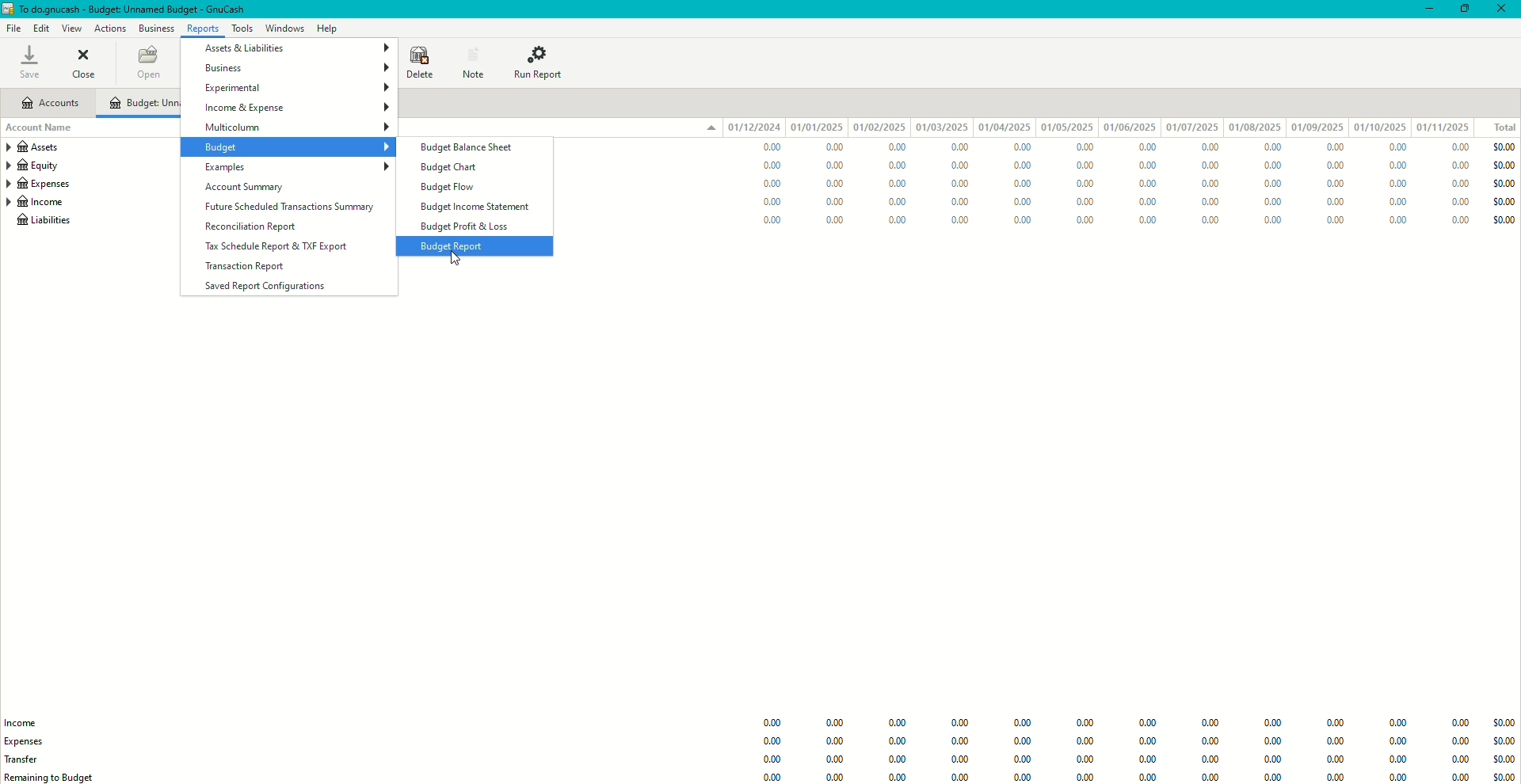 The width and height of the screenshot is (1521, 784). What do you see at coordinates (898, 200) in the screenshot?
I see `0.00` at bounding box center [898, 200].